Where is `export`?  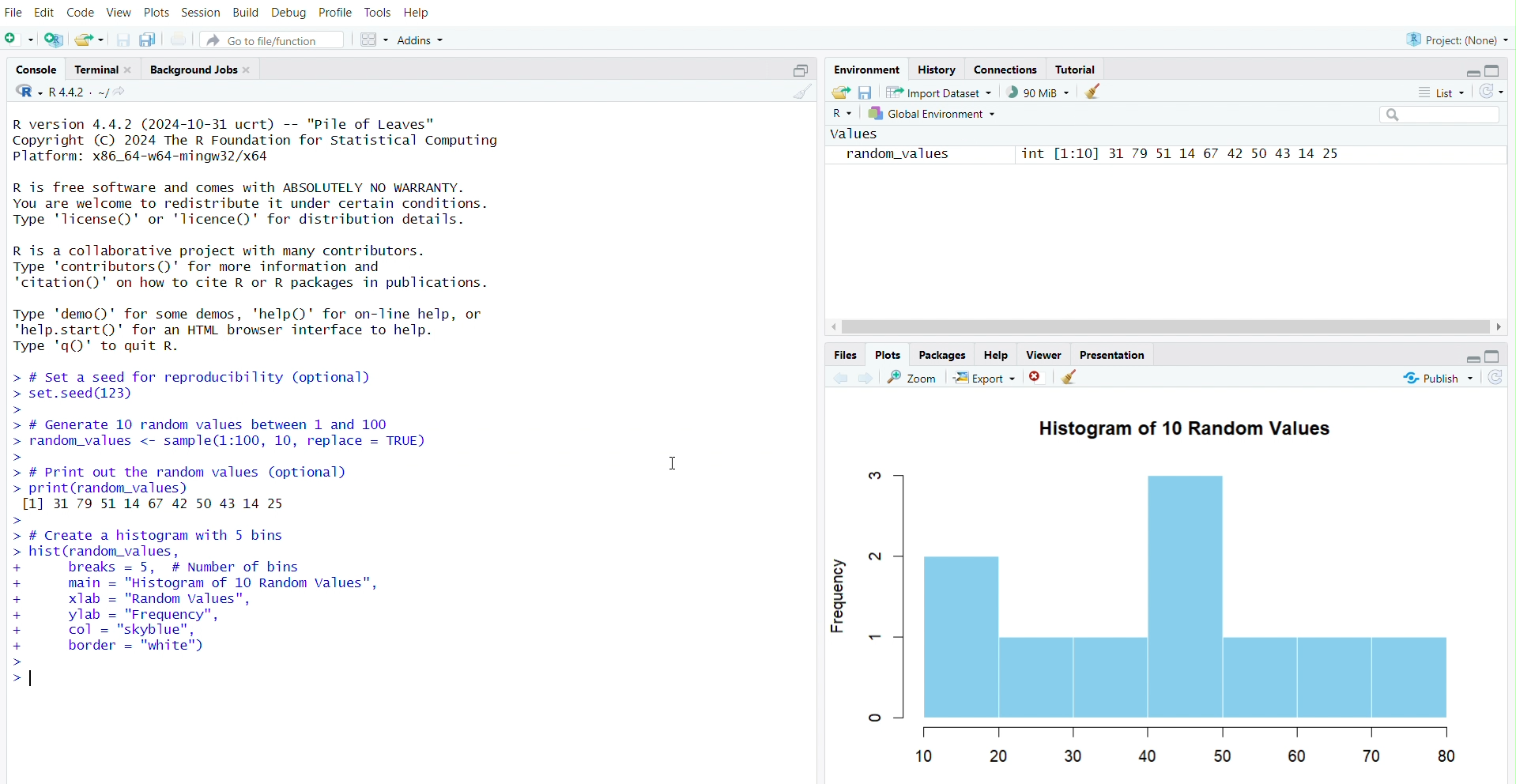
export is located at coordinates (985, 378).